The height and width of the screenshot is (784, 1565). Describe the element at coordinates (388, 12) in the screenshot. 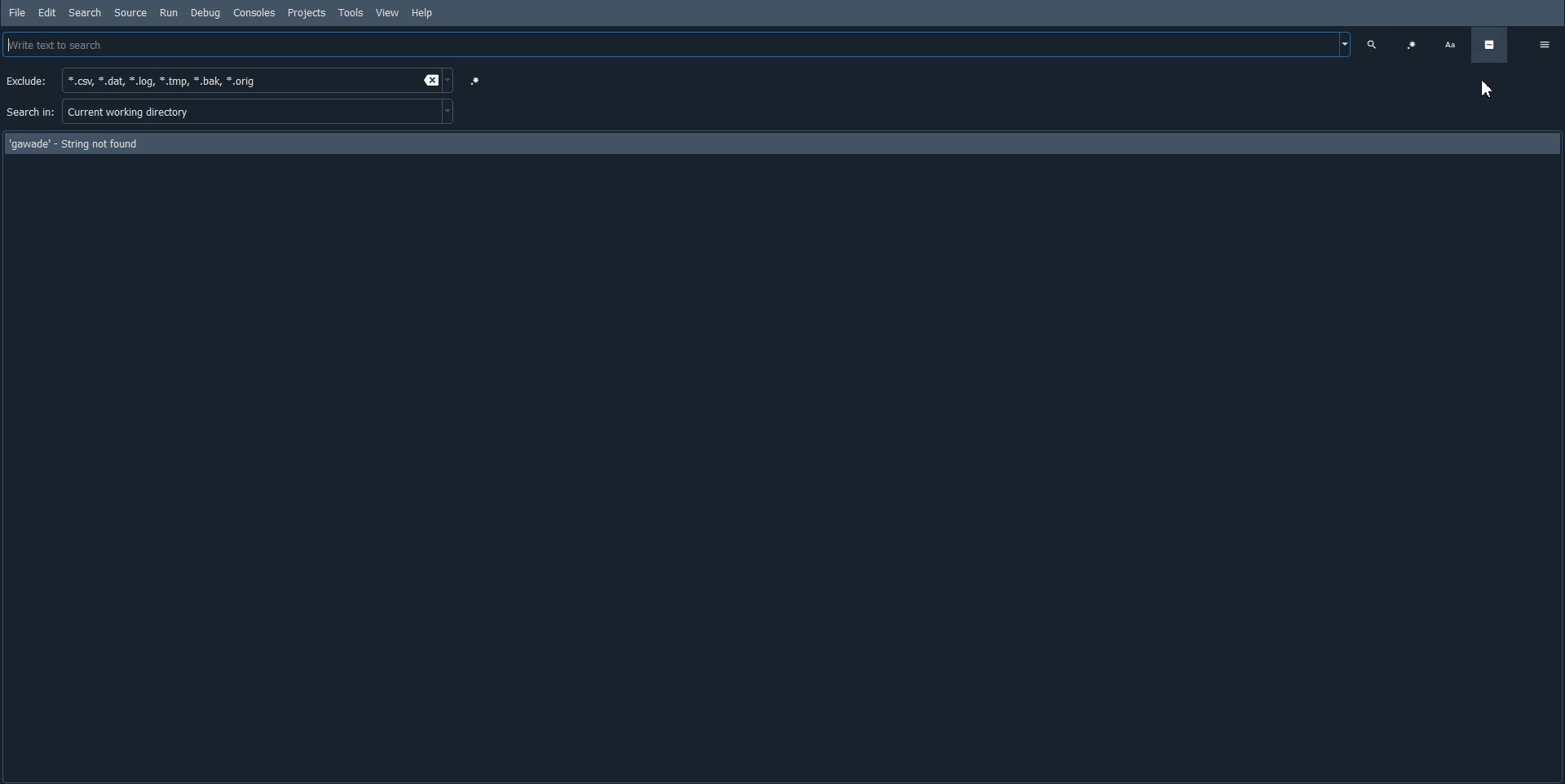

I see `View` at that location.